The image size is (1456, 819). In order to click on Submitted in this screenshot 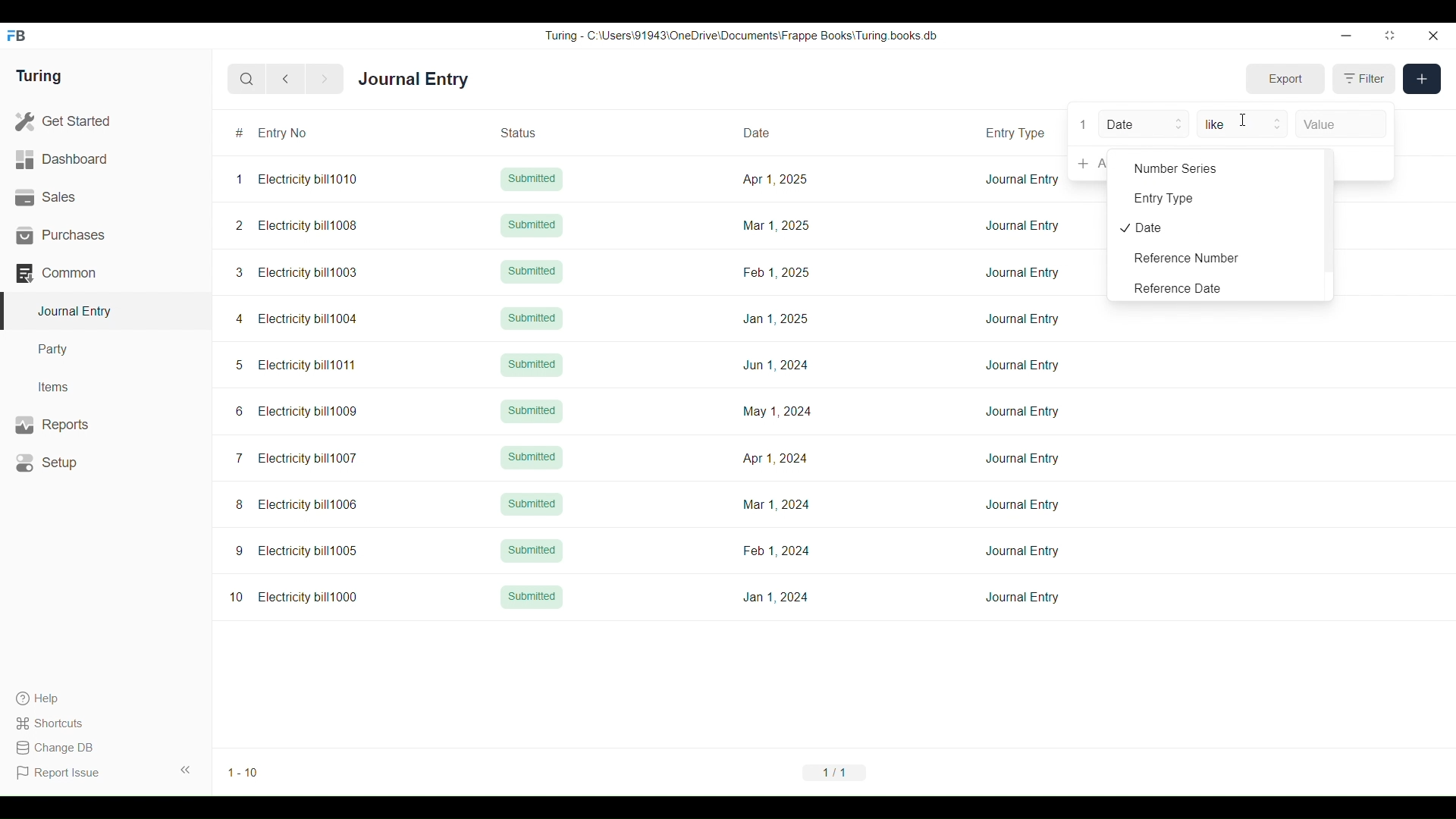, I will do `click(532, 412)`.